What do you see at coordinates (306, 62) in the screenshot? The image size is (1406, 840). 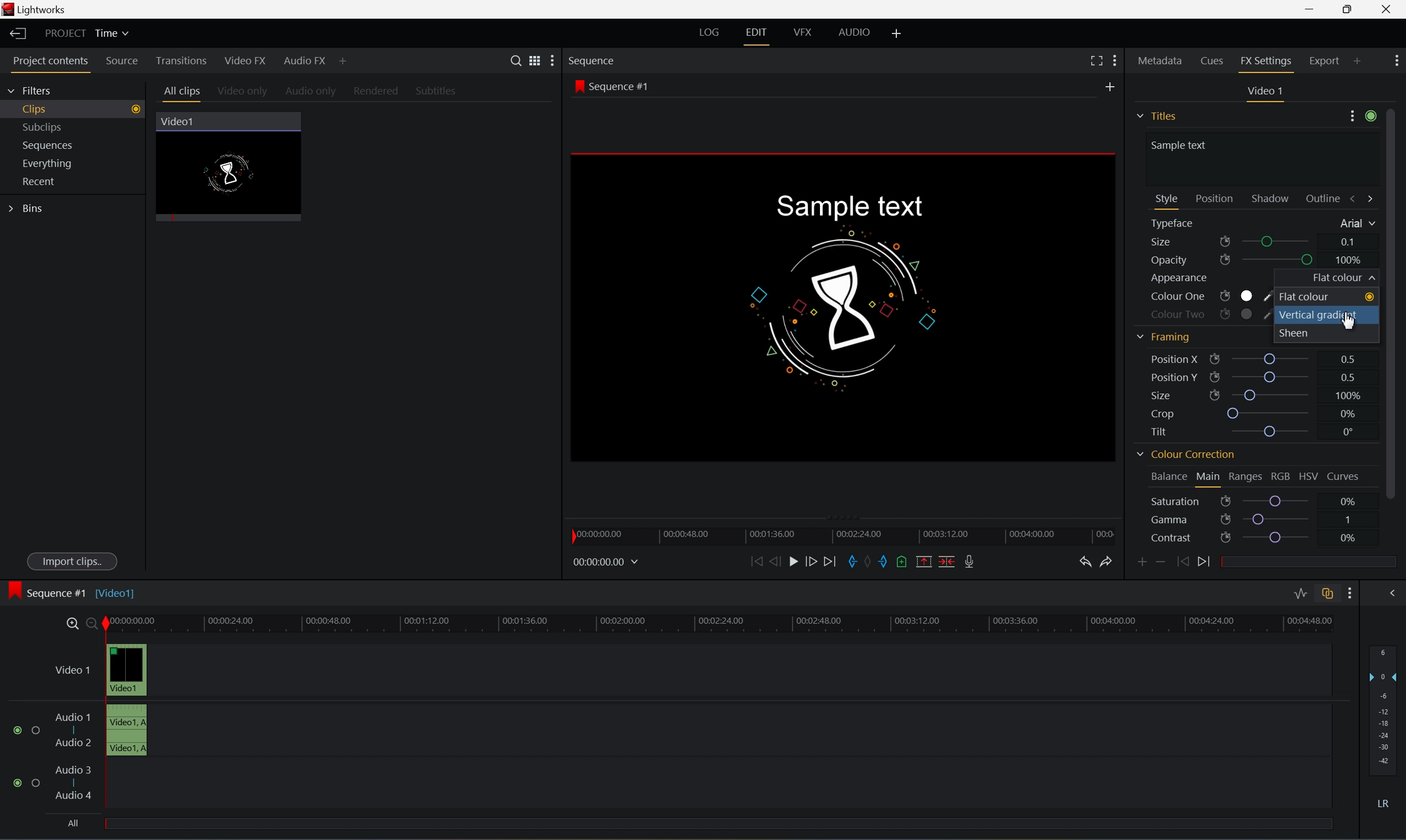 I see `Audio FX` at bounding box center [306, 62].